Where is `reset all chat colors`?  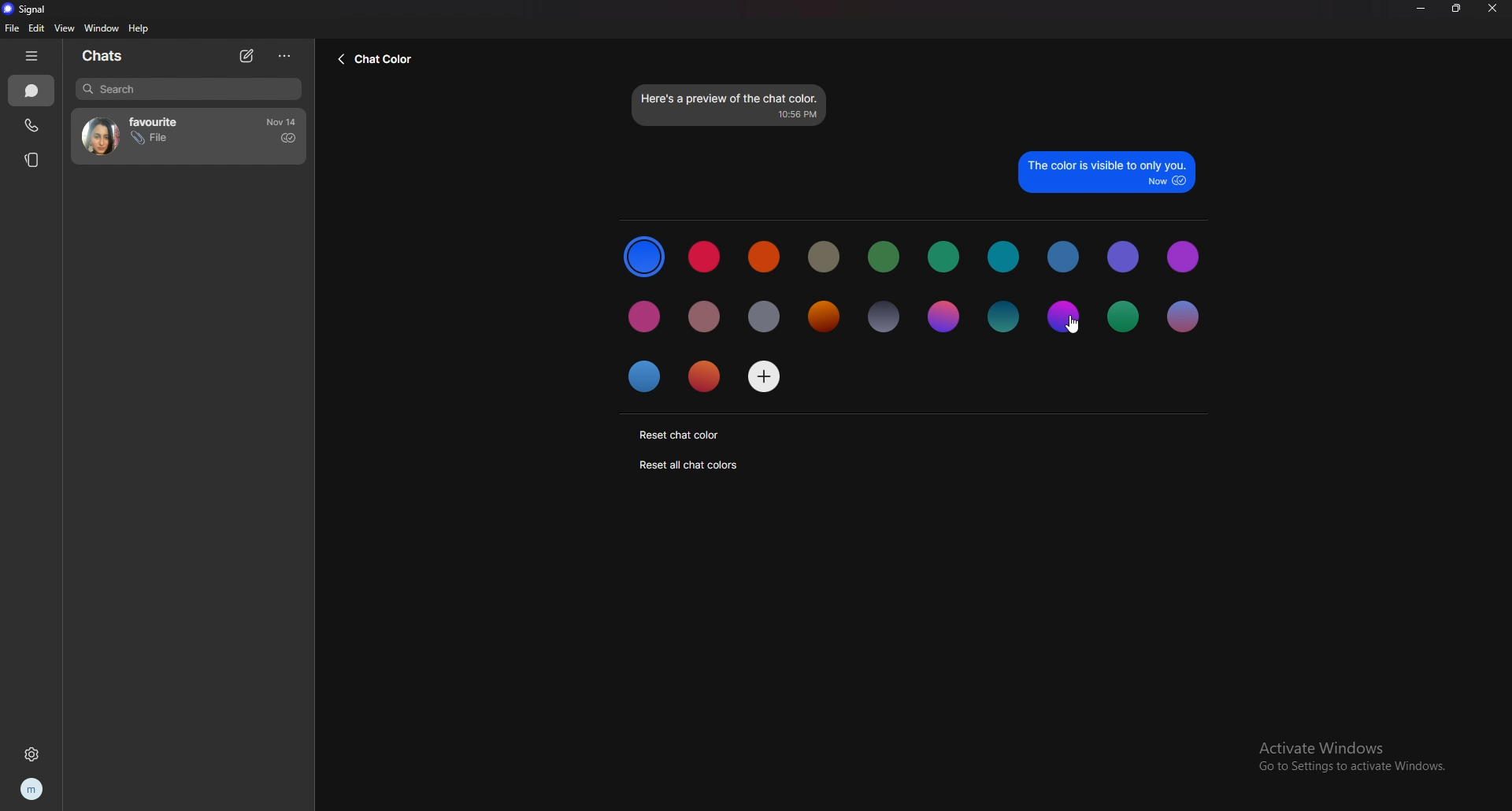
reset all chat colors is located at coordinates (691, 465).